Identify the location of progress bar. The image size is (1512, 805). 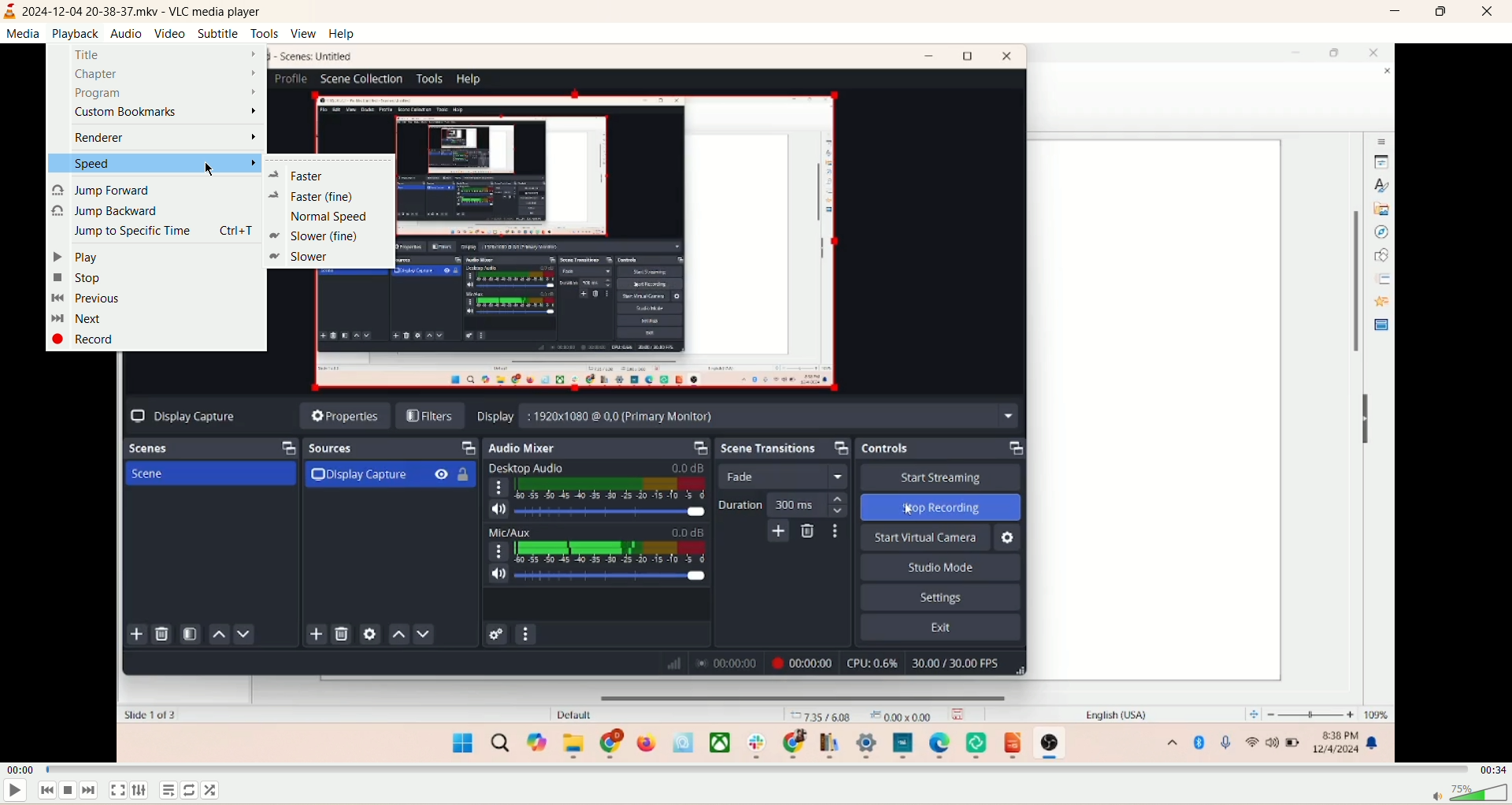
(753, 768).